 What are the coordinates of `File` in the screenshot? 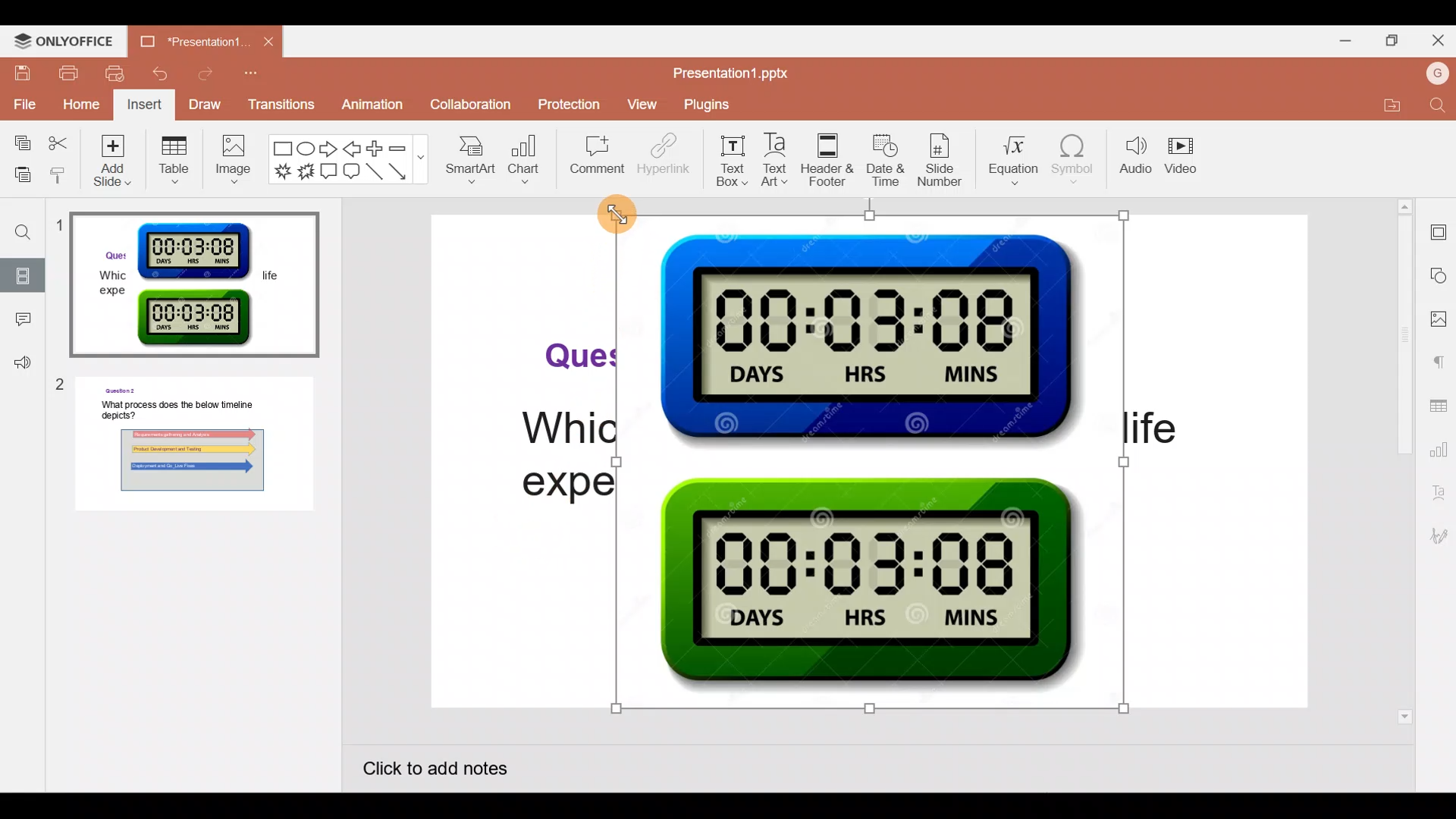 It's located at (21, 104).